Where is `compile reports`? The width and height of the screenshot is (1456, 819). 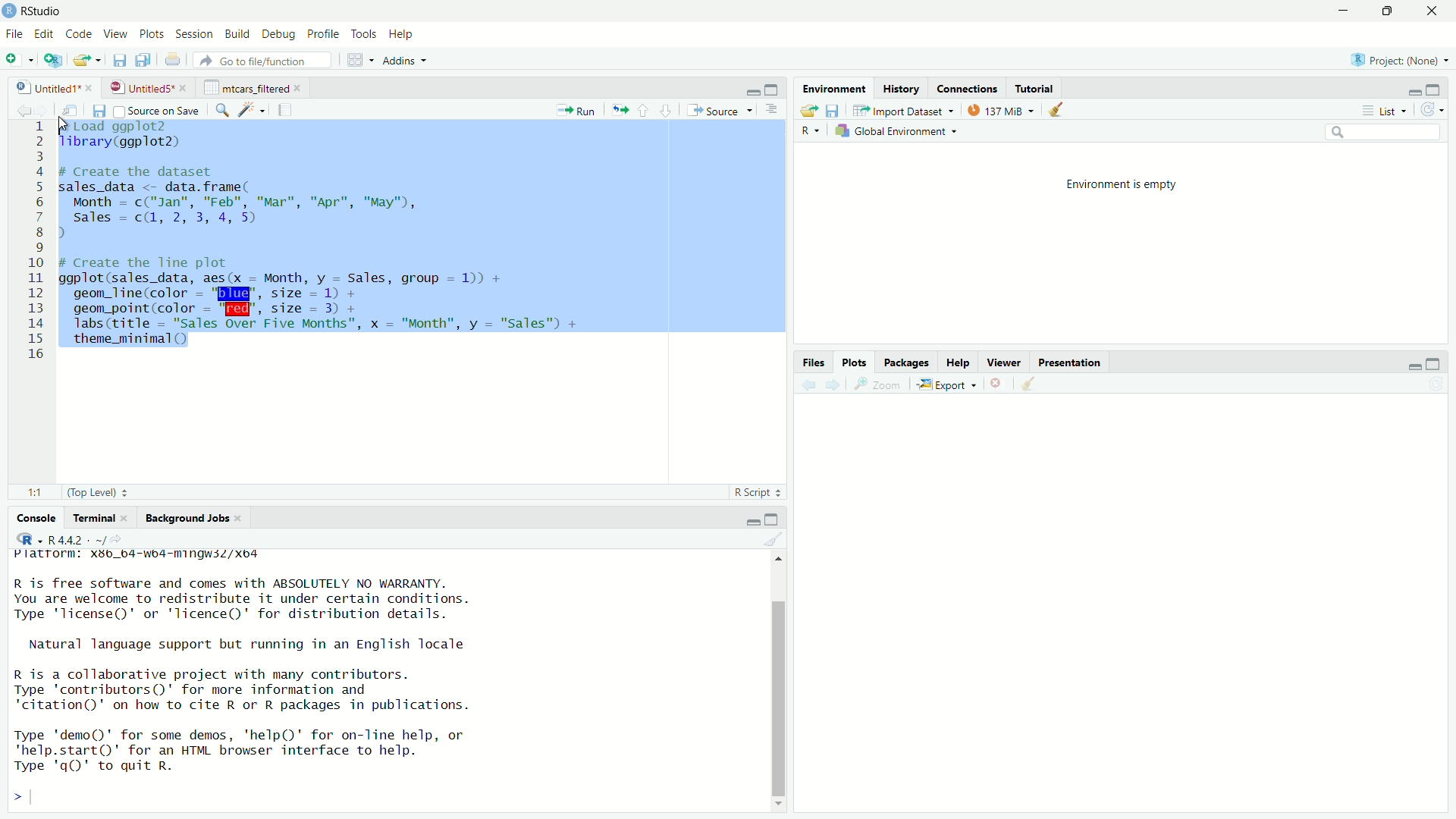
compile reports is located at coordinates (285, 109).